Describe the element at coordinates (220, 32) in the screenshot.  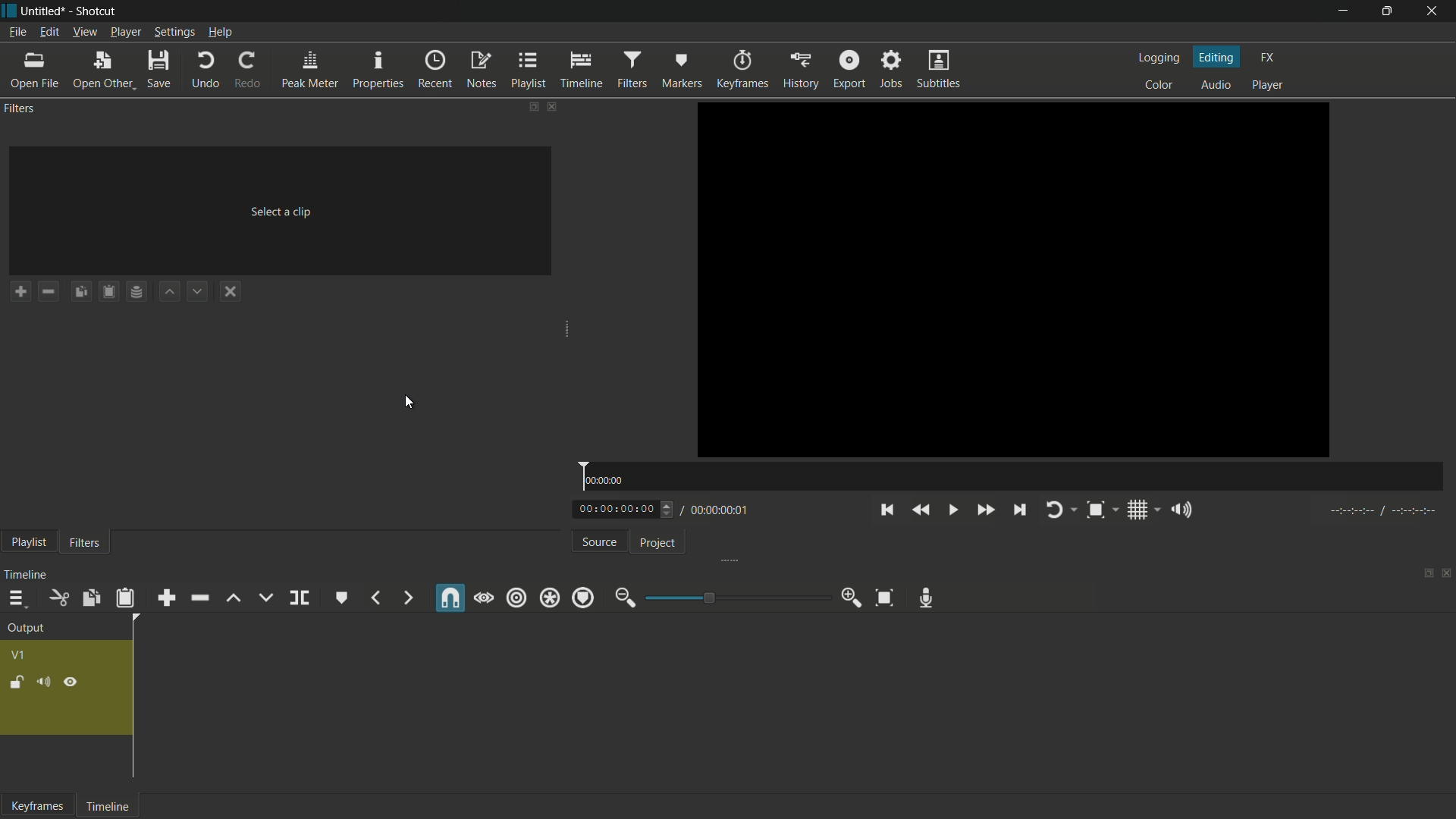
I see `help menu` at that location.